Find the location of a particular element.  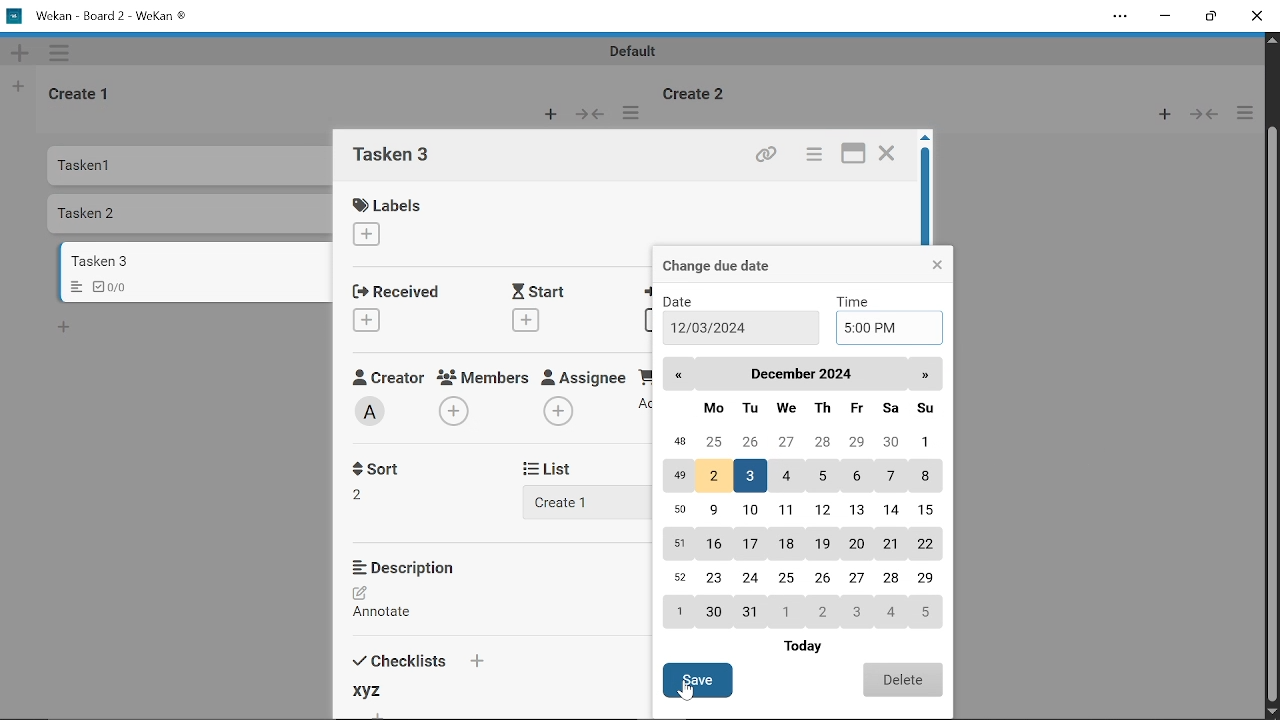

Create 1 is located at coordinates (81, 92).